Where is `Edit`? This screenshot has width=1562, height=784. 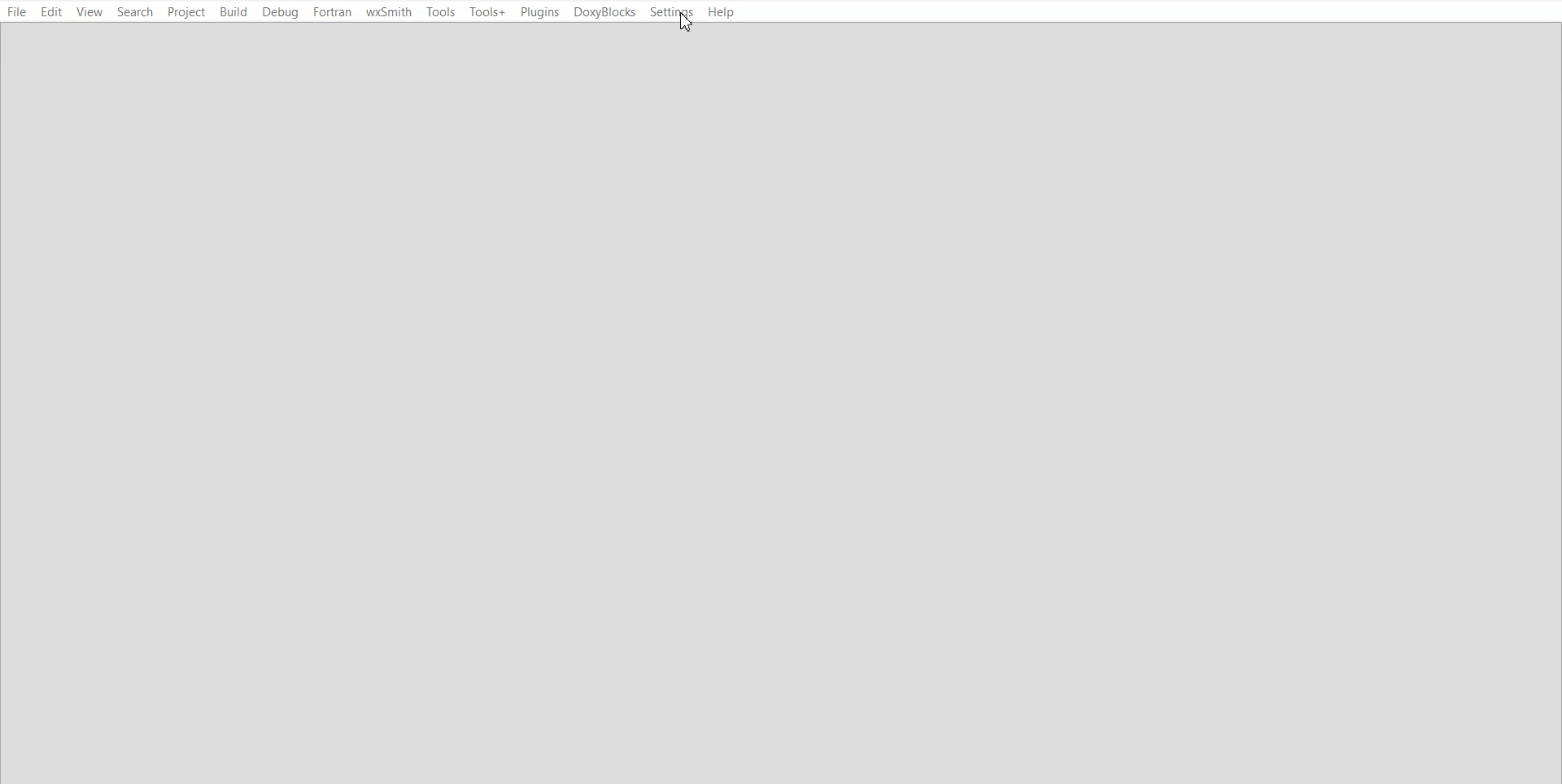 Edit is located at coordinates (51, 13).